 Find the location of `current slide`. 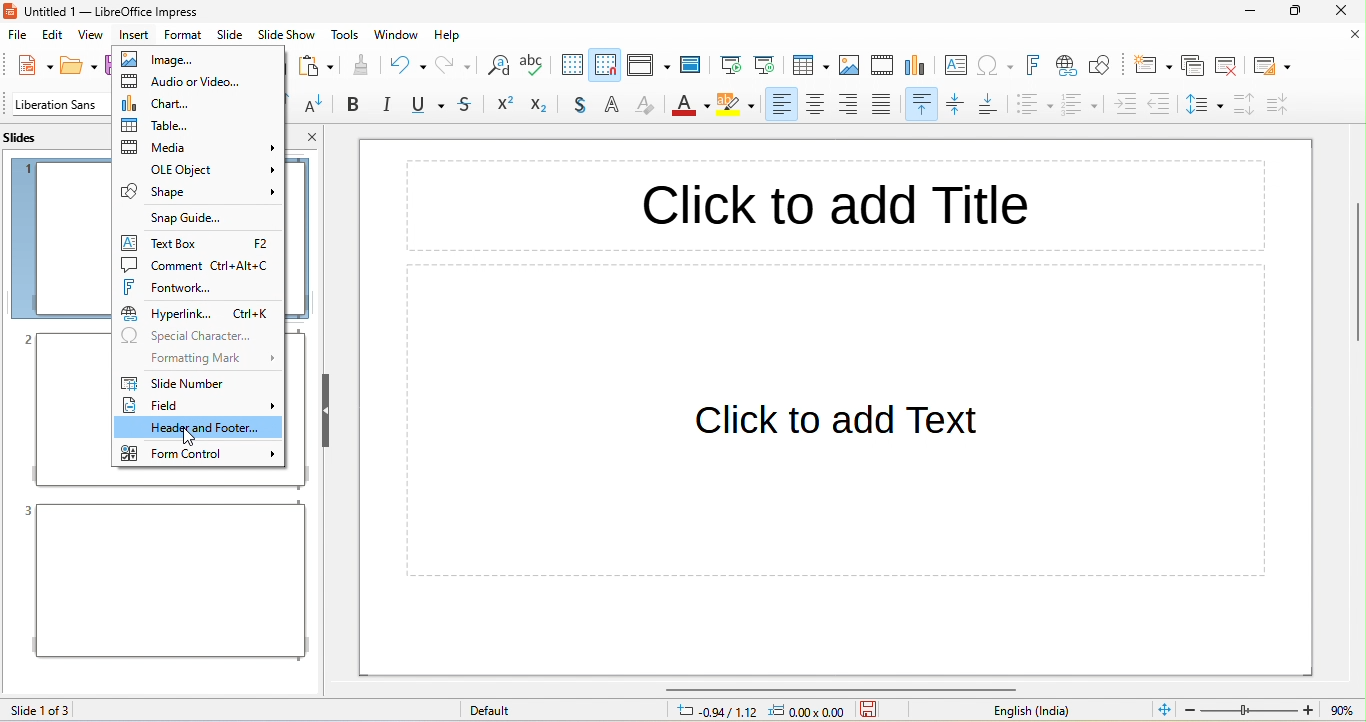

current slide is located at coordinates (766, 63).